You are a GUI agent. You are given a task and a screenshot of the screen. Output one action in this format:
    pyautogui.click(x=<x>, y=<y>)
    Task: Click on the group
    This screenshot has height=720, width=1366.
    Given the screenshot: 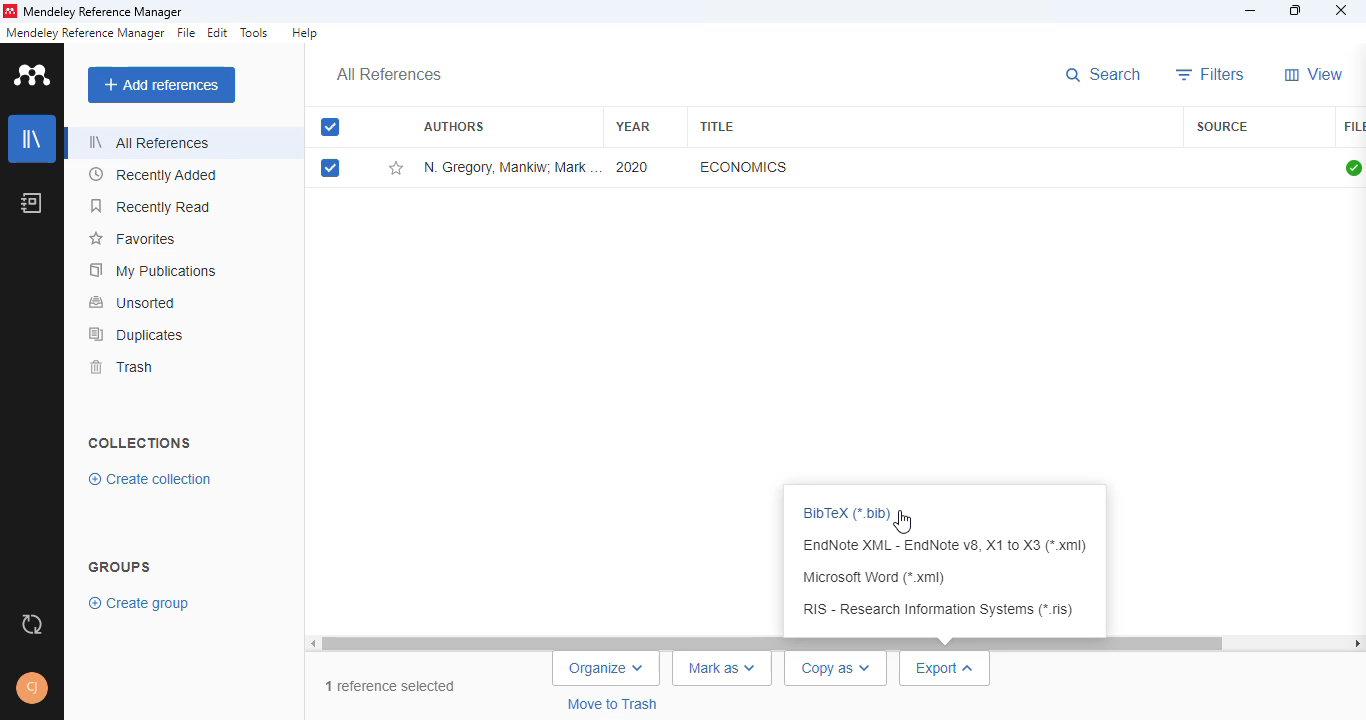 What is the action you would take?
    pyautogui.click(x=120, y=566)
    